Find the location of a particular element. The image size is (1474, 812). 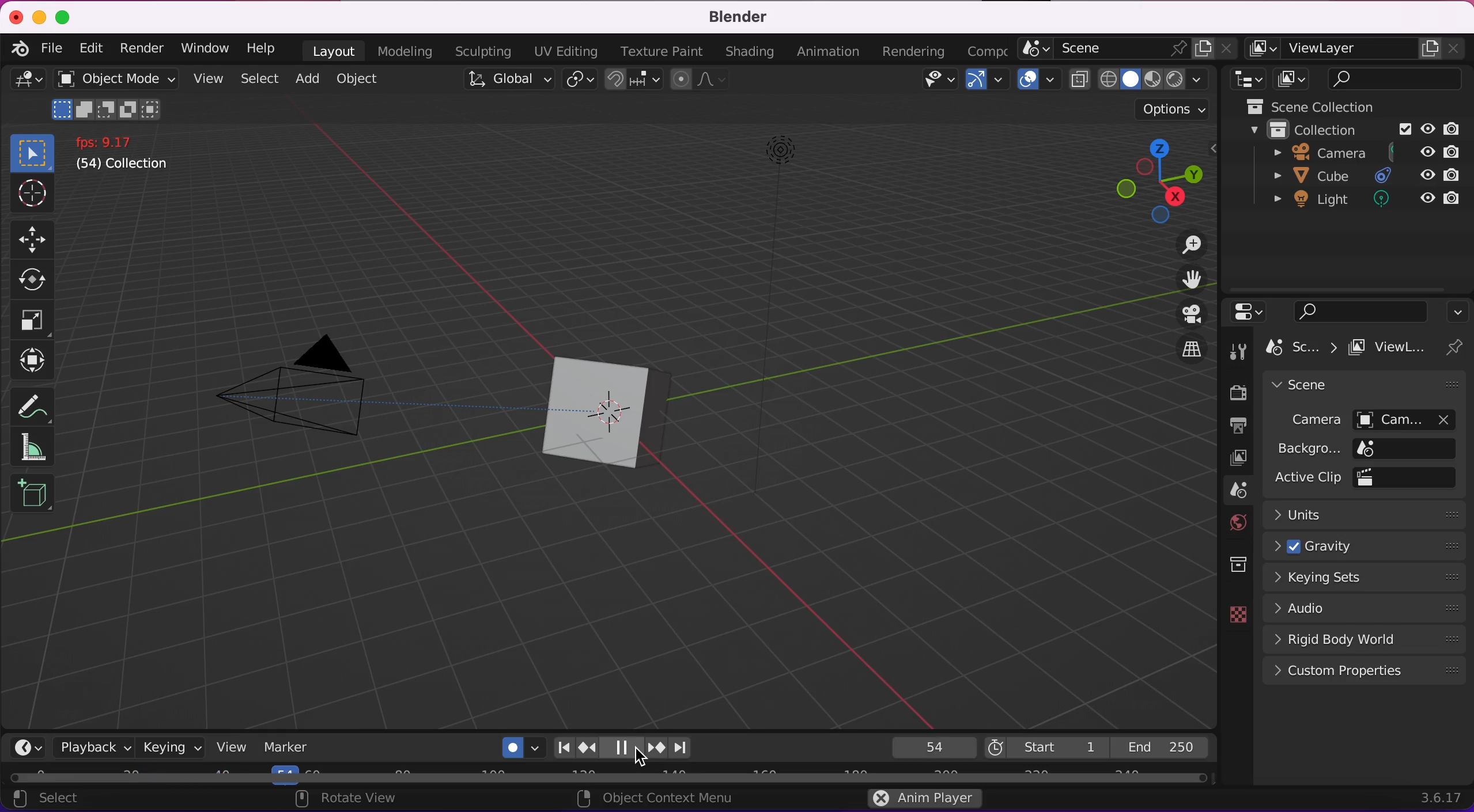

anim player is located at coordinates (921, 800).